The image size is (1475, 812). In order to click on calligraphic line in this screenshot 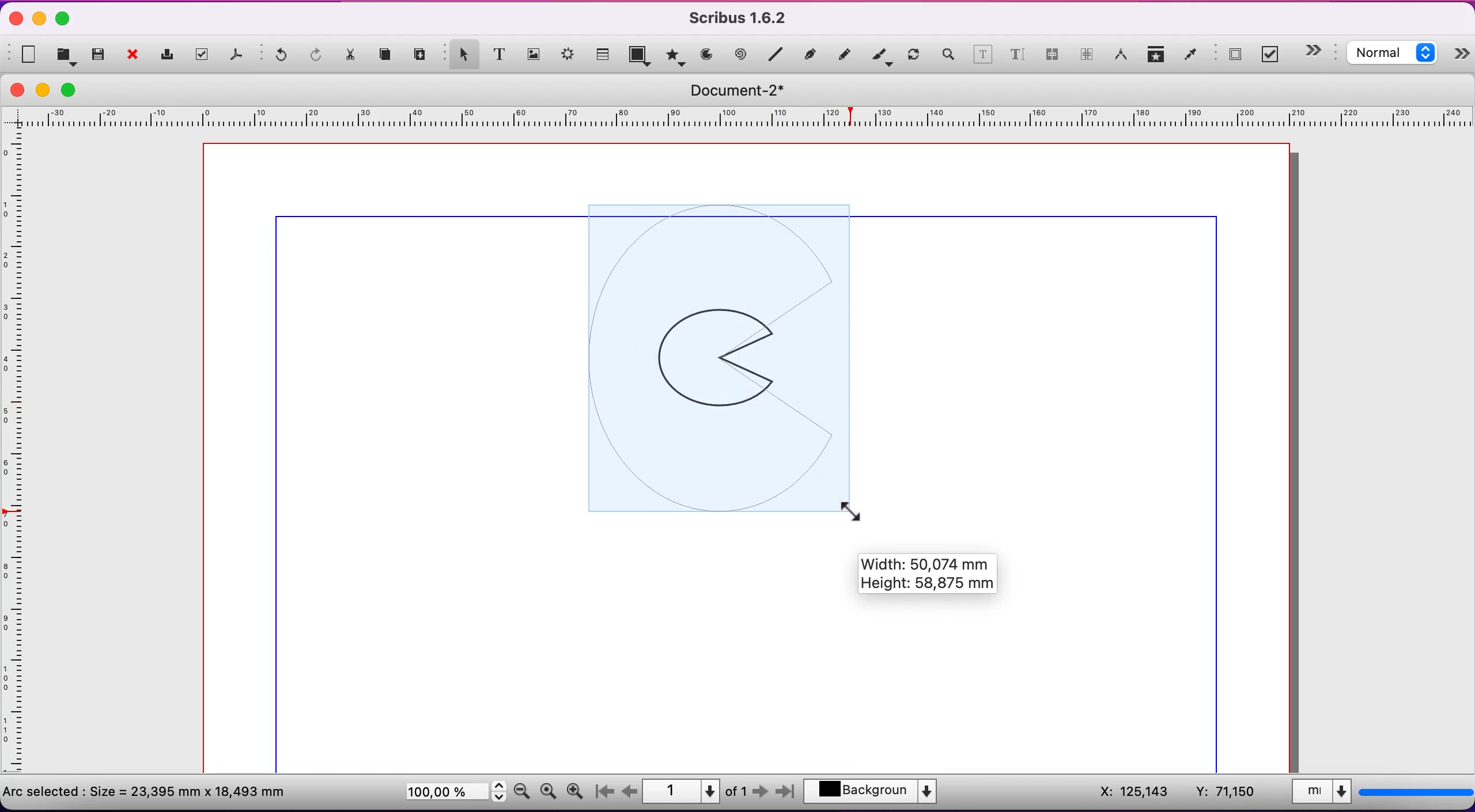, I will do `click(882, 56)`.